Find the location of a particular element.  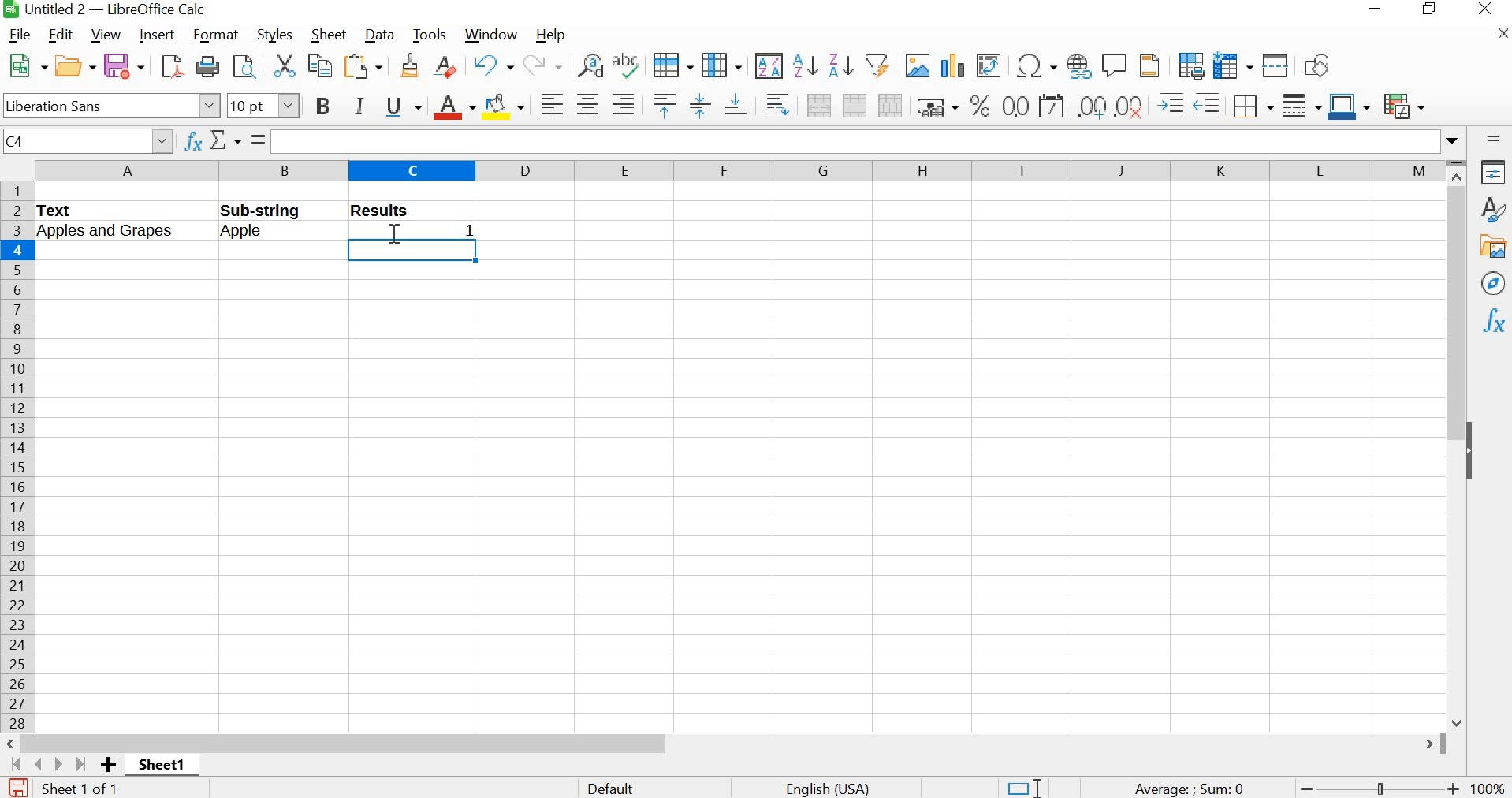

sort ascending is located at coordinates (805, 65).